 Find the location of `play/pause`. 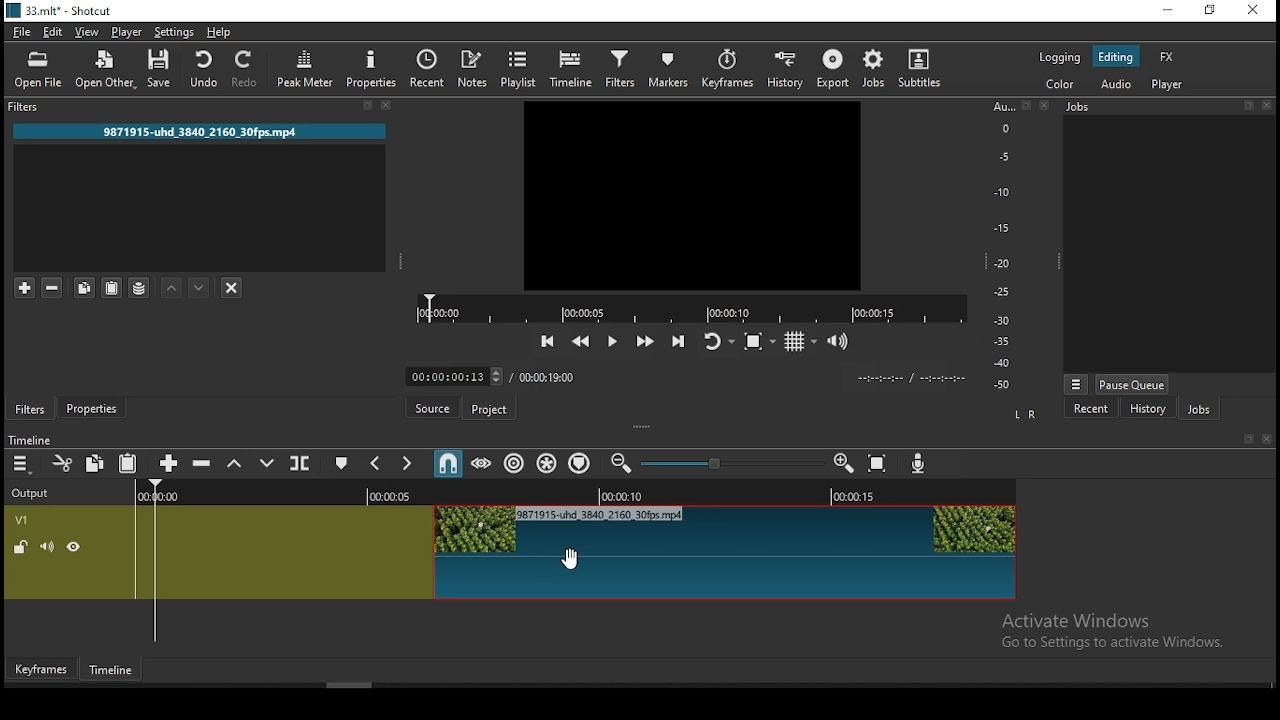

play/pause is located at coordinates (614, 341).